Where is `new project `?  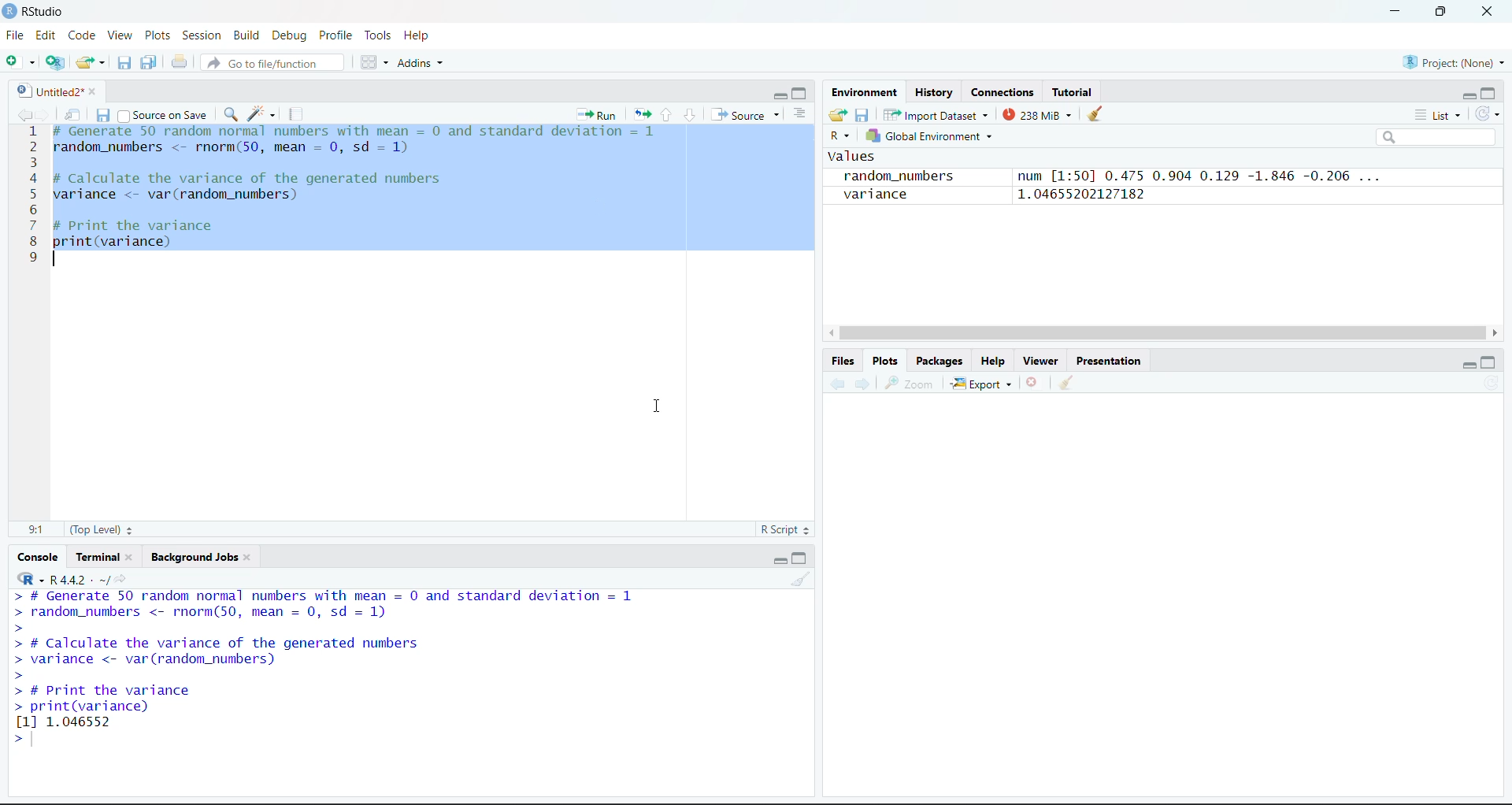
new project  is located at coordinates (55, 62).